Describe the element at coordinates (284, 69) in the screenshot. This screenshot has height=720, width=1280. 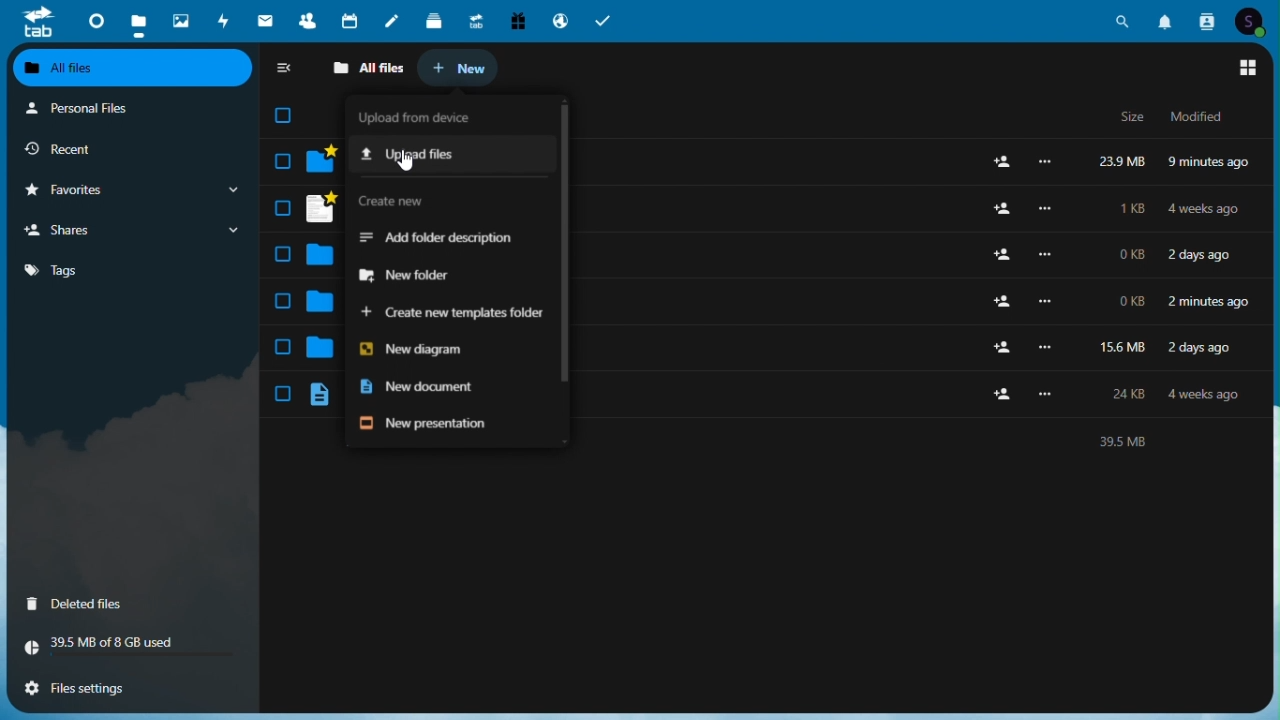
I see `Collapse sidebar` at that location.